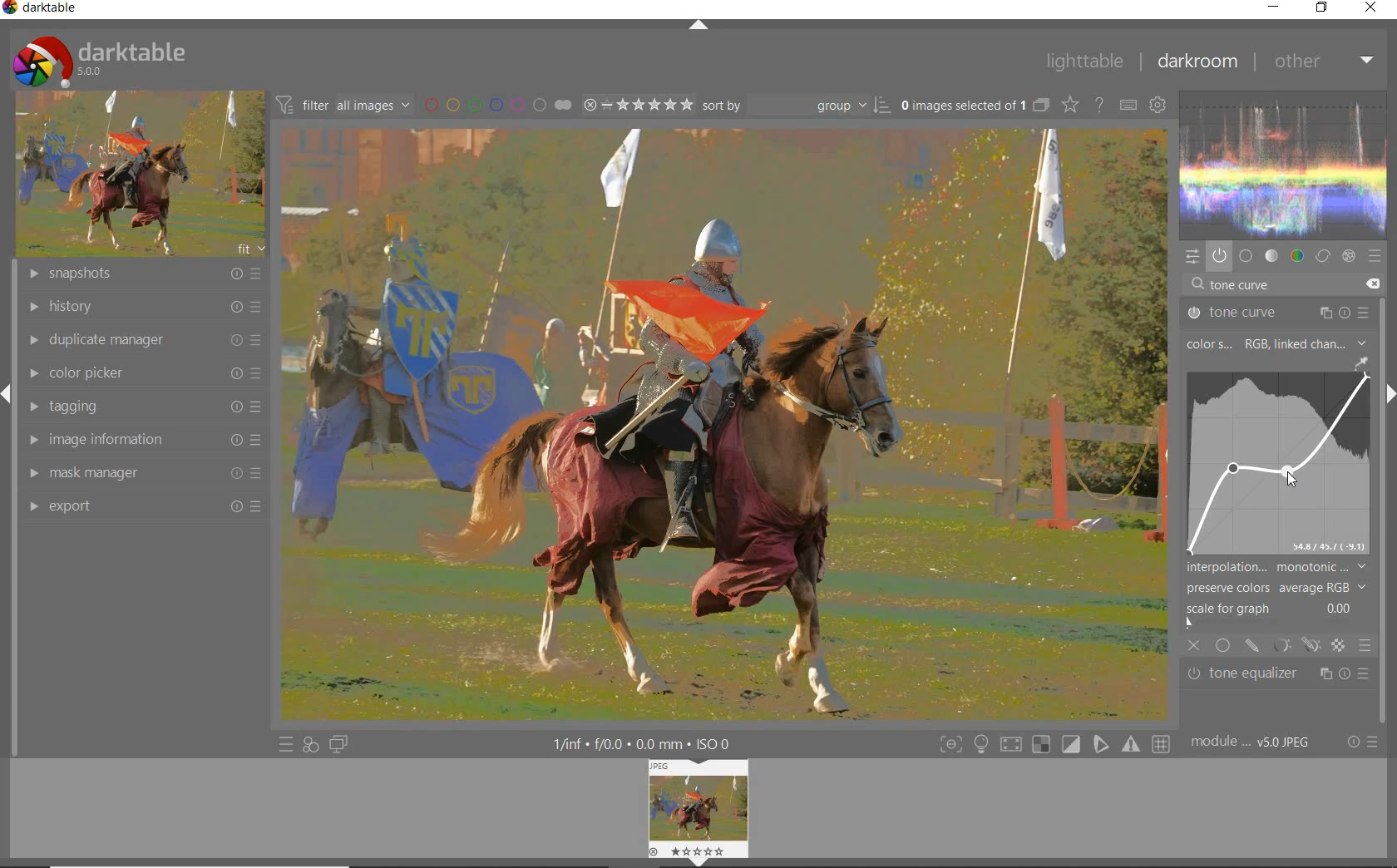 The width and height of the screenshot is (1397, 868). Describe the element at coordinates (698, 26) in the screenshot. I see `expand/collapse` at that location.